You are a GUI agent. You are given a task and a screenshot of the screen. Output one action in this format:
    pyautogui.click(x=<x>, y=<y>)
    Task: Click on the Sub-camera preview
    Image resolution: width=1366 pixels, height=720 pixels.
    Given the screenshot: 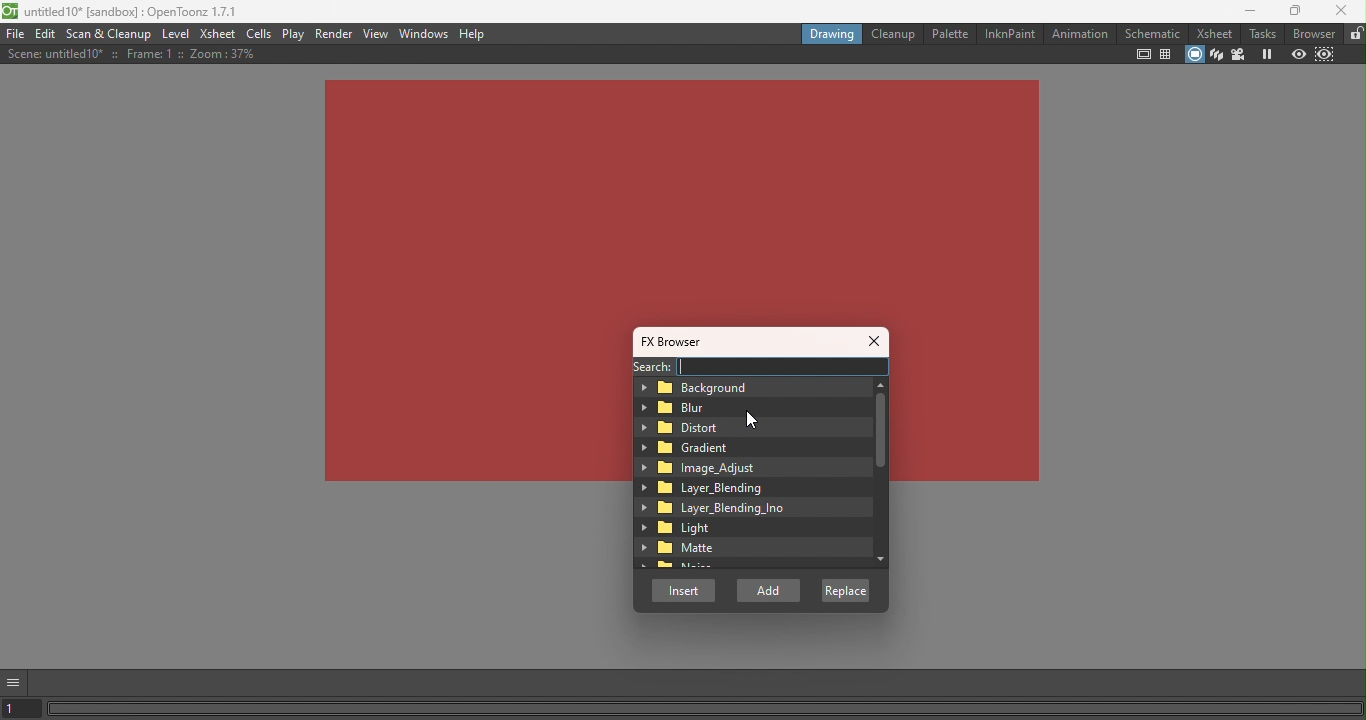 What is the action you would take?
    pyautogui.click(x=1325, y=55)
    